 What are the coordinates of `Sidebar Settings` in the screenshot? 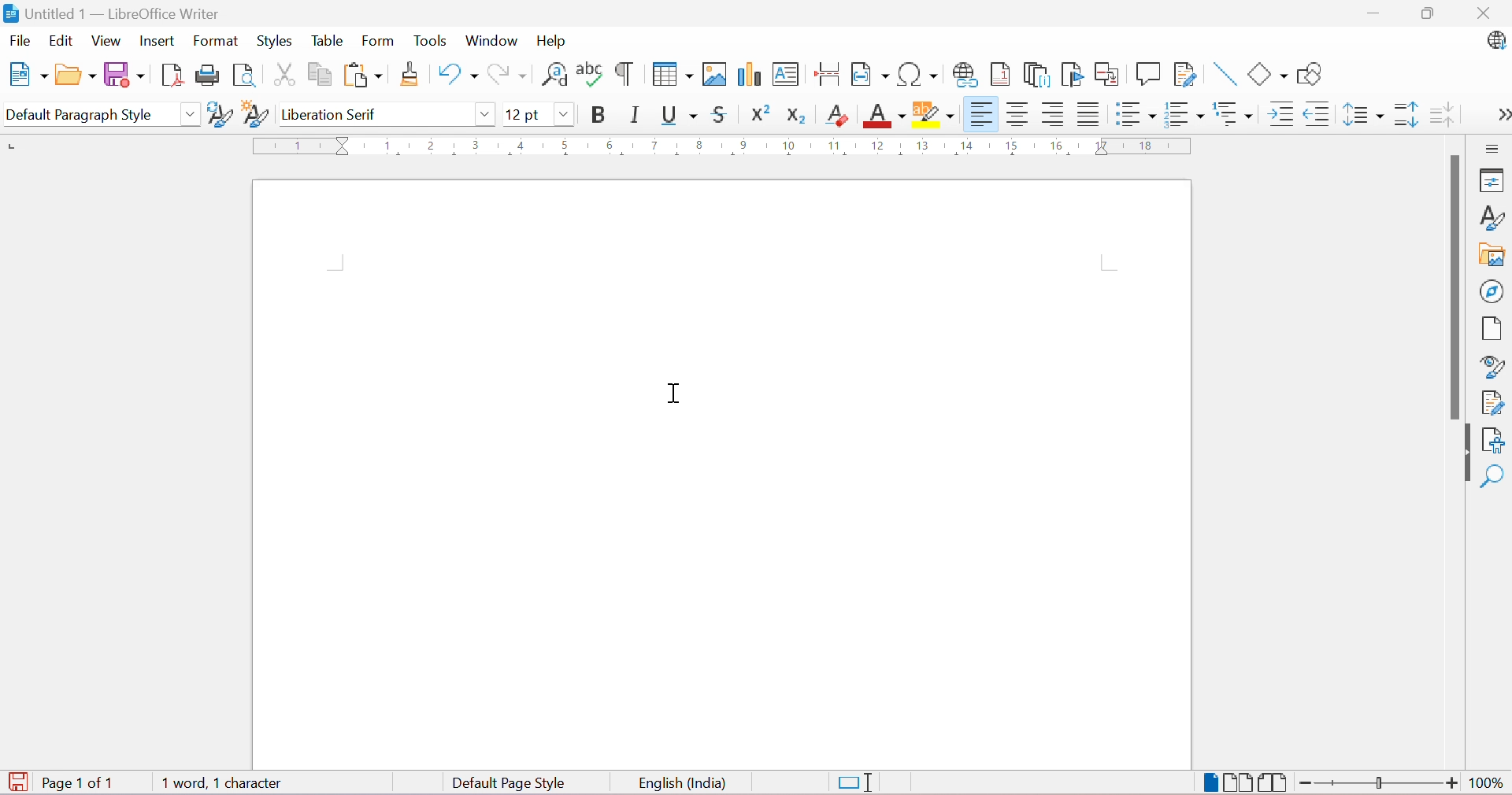 It's located at (1496, 149).